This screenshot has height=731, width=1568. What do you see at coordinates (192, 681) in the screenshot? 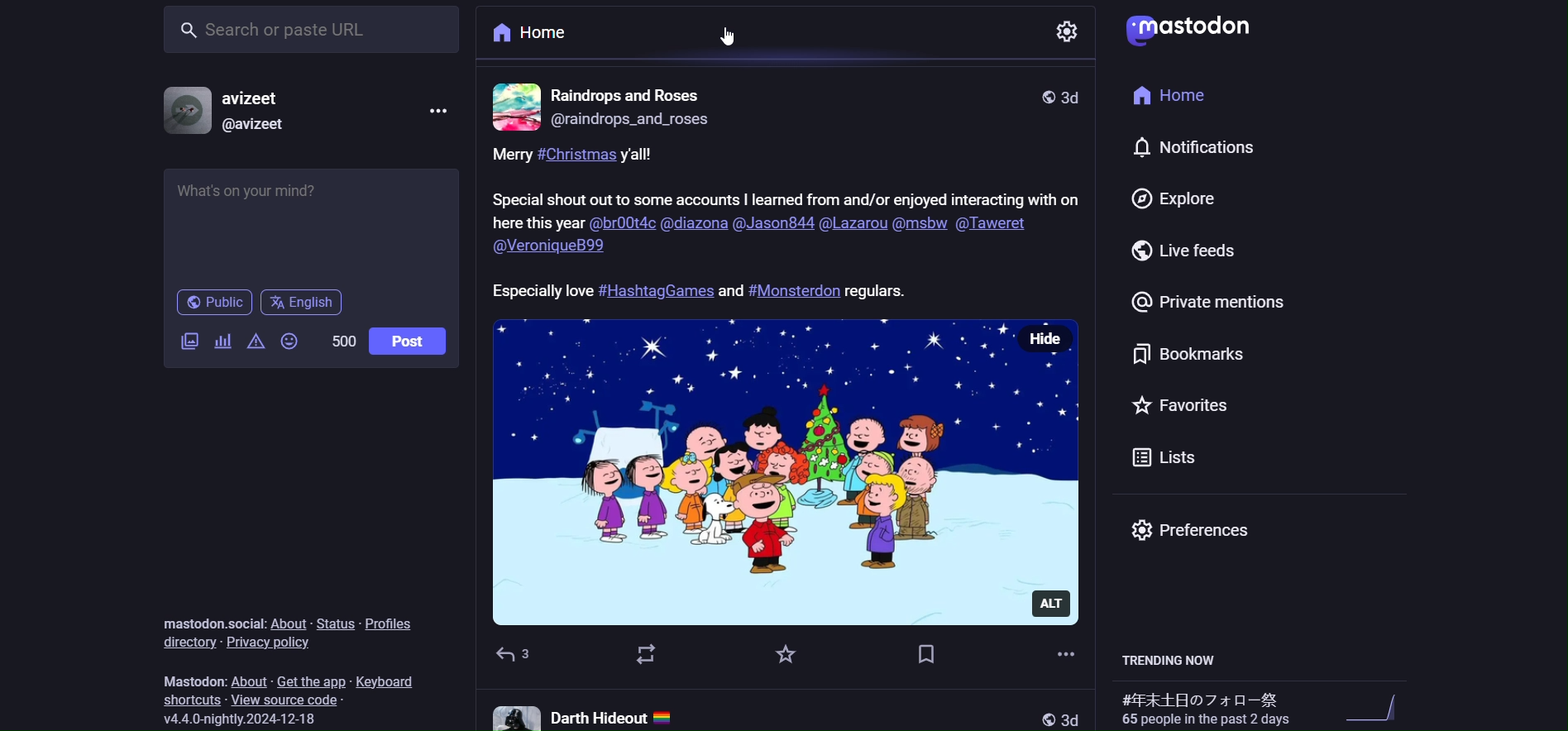
I see `mastodon` at bounding box center [192, 681].